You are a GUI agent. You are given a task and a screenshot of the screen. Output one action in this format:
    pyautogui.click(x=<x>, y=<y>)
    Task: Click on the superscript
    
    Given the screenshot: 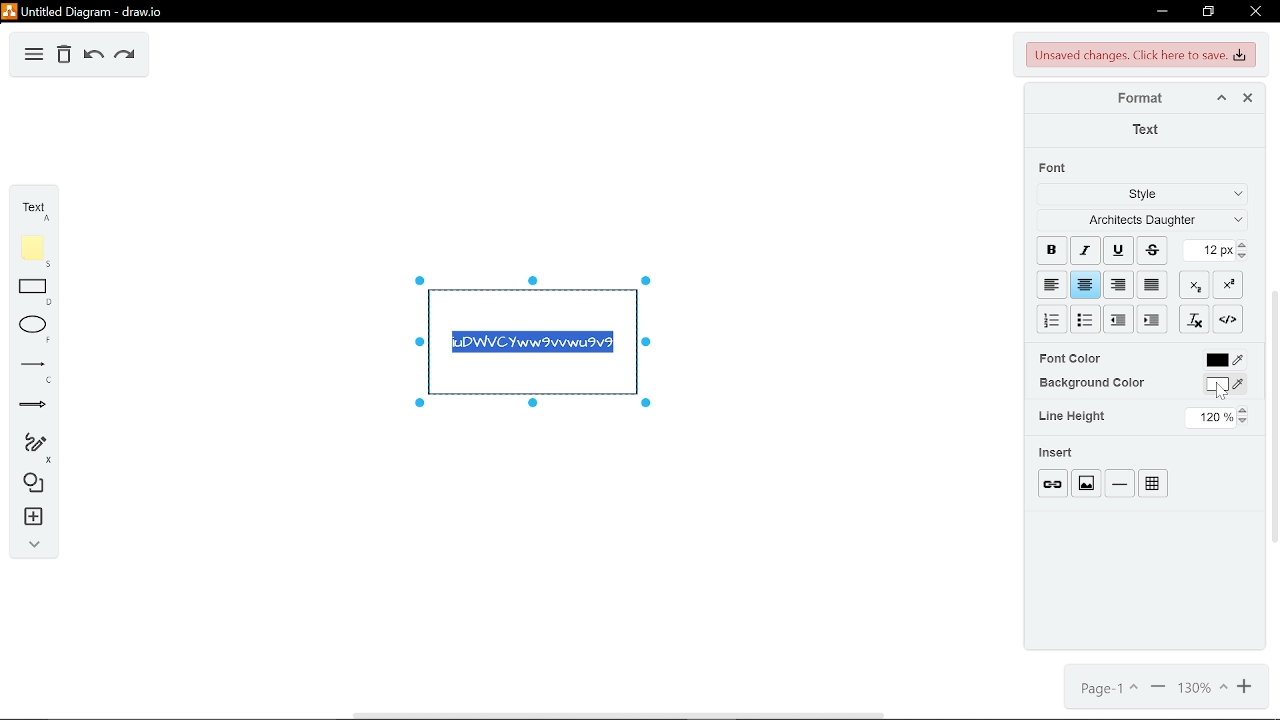 What is the action you would take?
    pyautogui.click(x=1232, y=285)
    